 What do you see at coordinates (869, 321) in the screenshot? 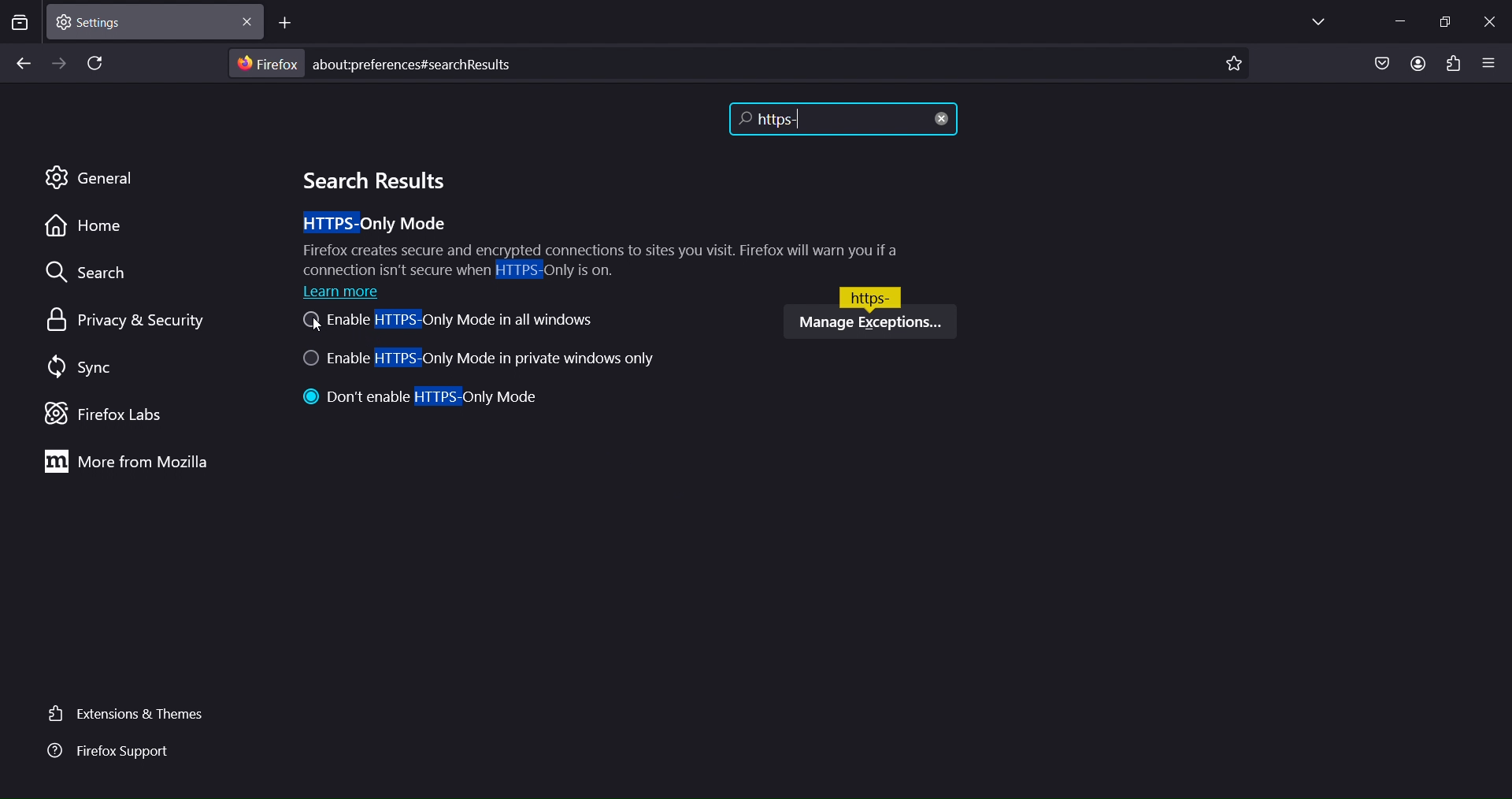
I see `manage exceptions` at bounding box center [869, 321].